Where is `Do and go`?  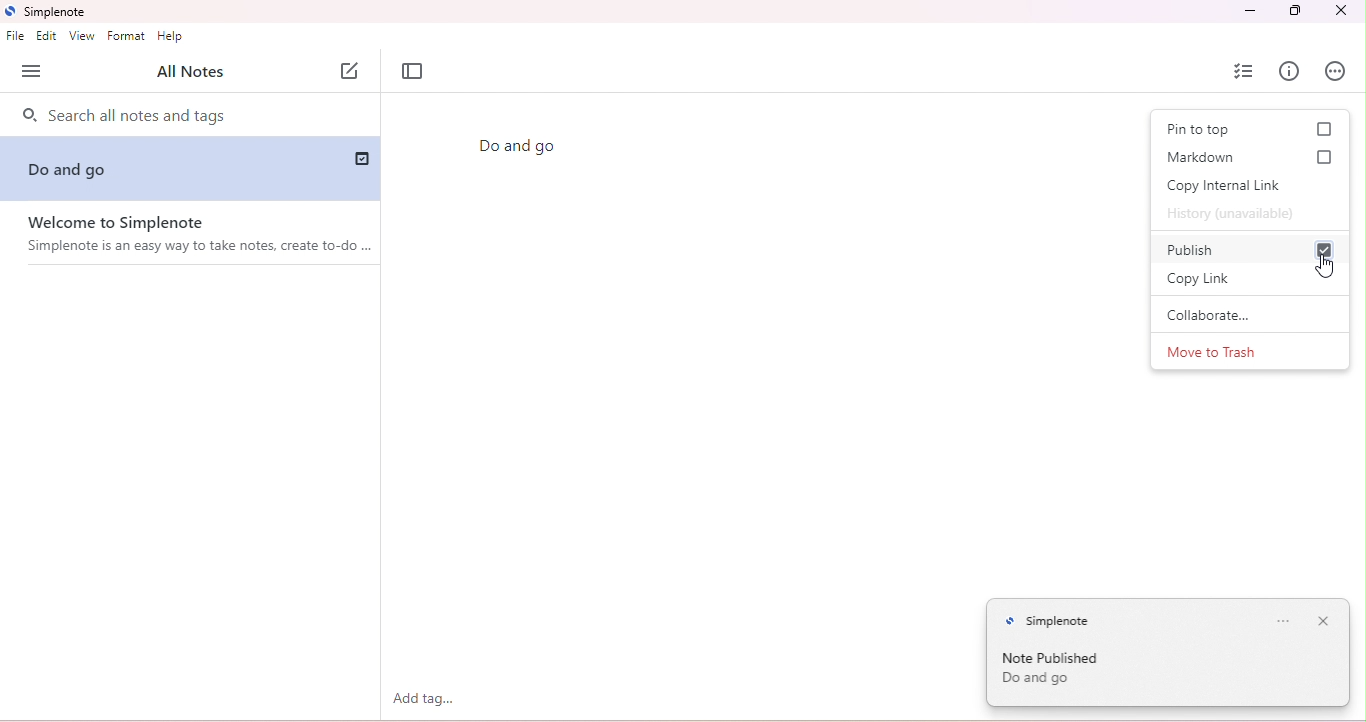 Do and go is located at coordinates (521, 147).